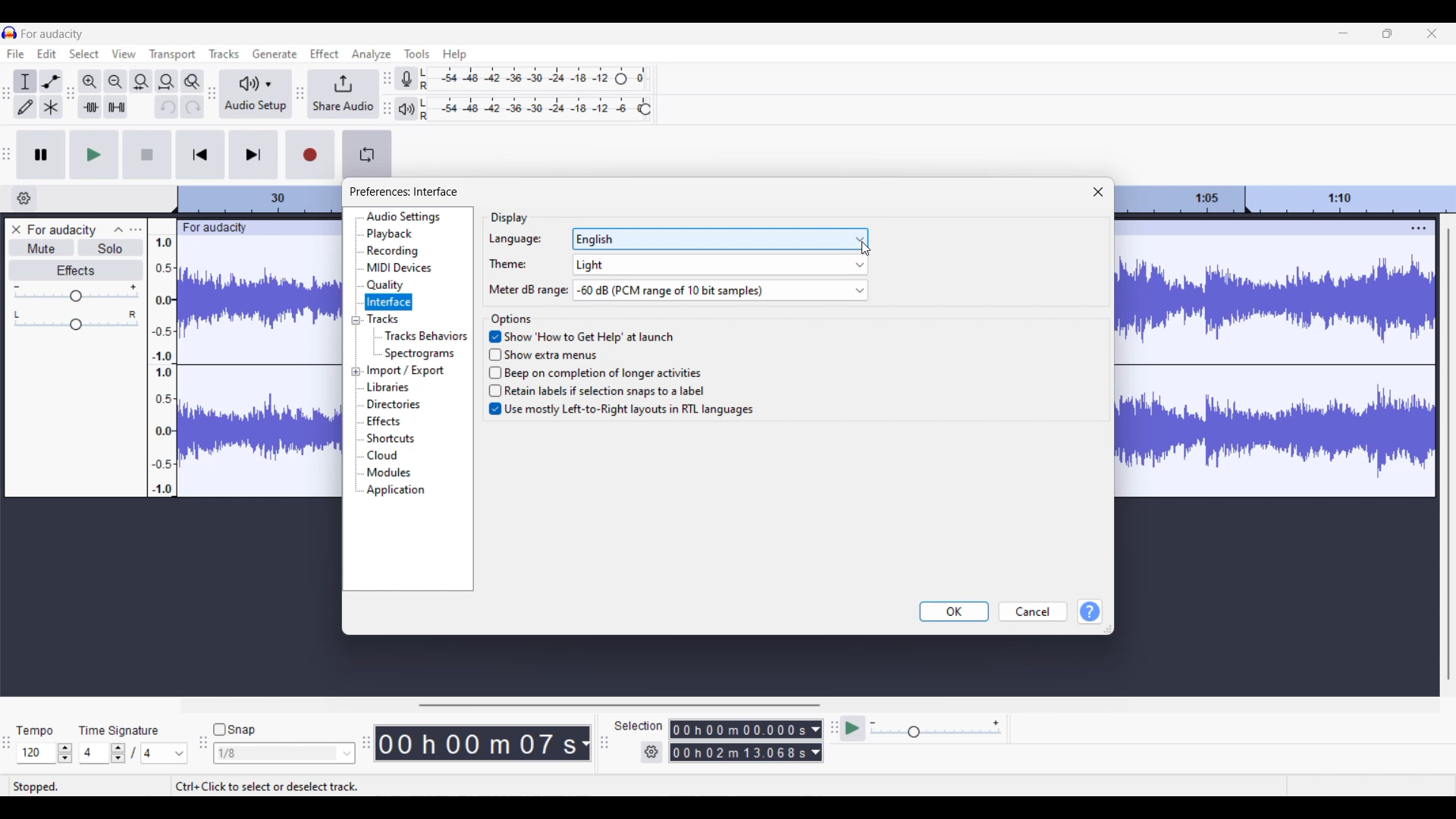 The image size is (1456, 819). What do you see at coordinates (356, 347) in the screenshot?
I see `Collapse/Expand respective setting` at bounding box center [356, 347].